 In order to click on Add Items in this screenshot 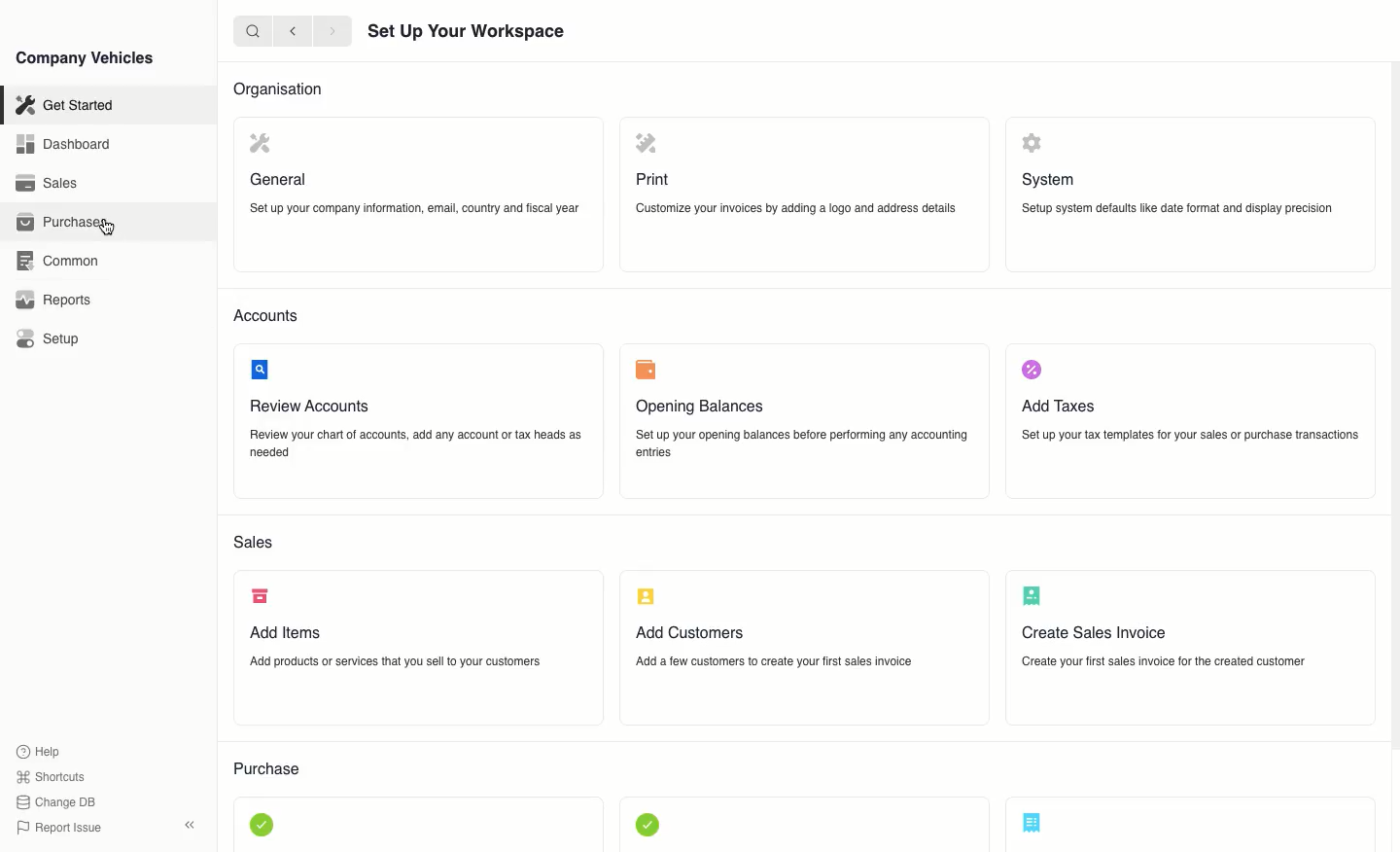, I will do `click(287, 633)`.